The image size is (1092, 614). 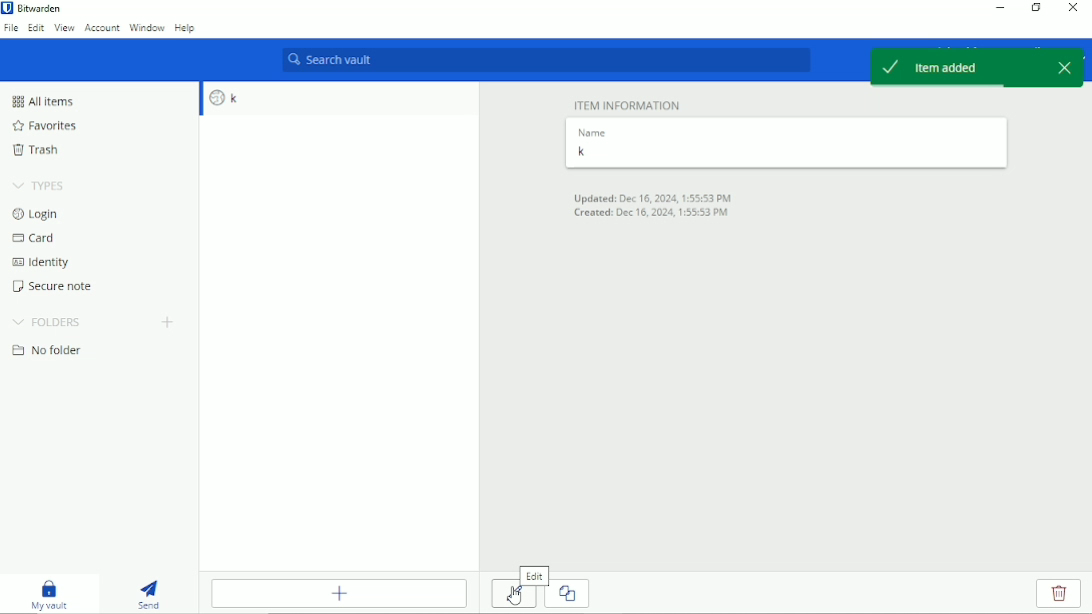 I want to click on Edit, so click(x=534, y=576).